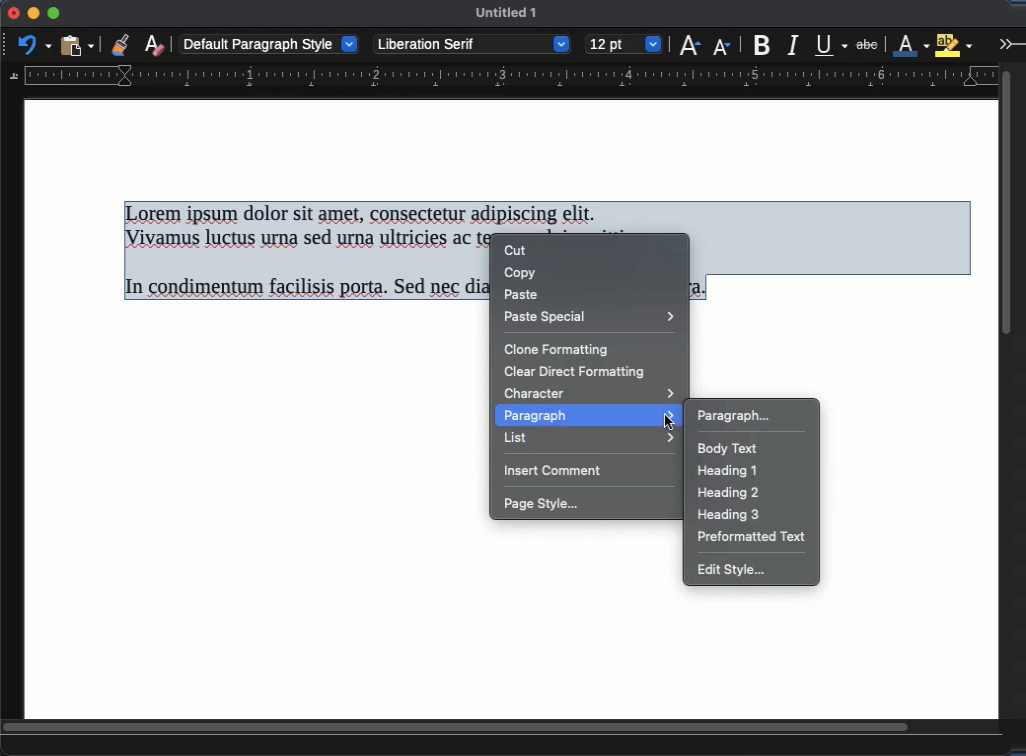 This screenshot has width=1026, height=756. What do you see at coordinates (523, 273) in the screenshot?
I see `copy` at bounding box center [523, 273].